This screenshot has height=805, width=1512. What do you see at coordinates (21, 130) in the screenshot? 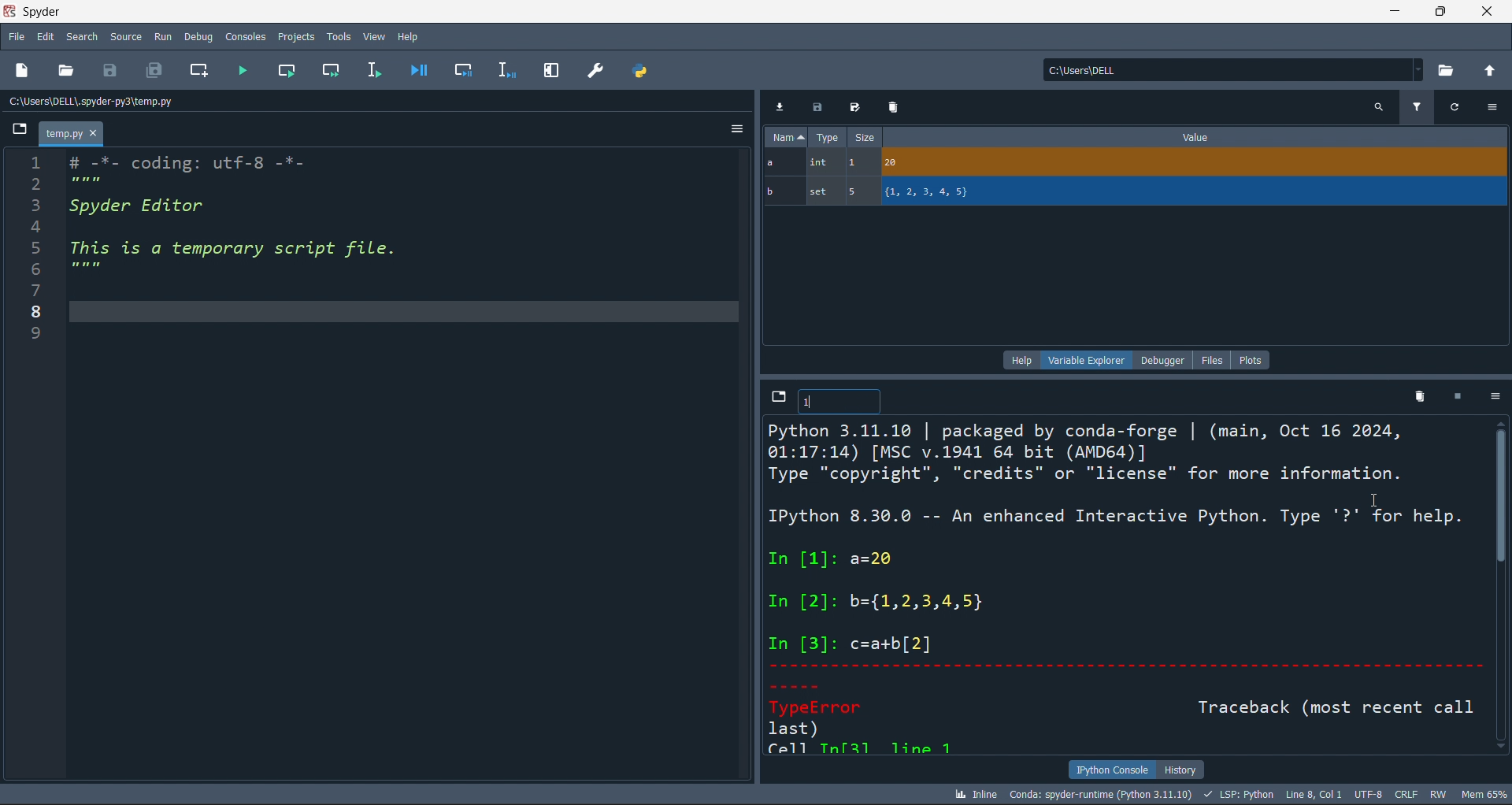
I see `browse tabs` at bounding box center [21, 130].